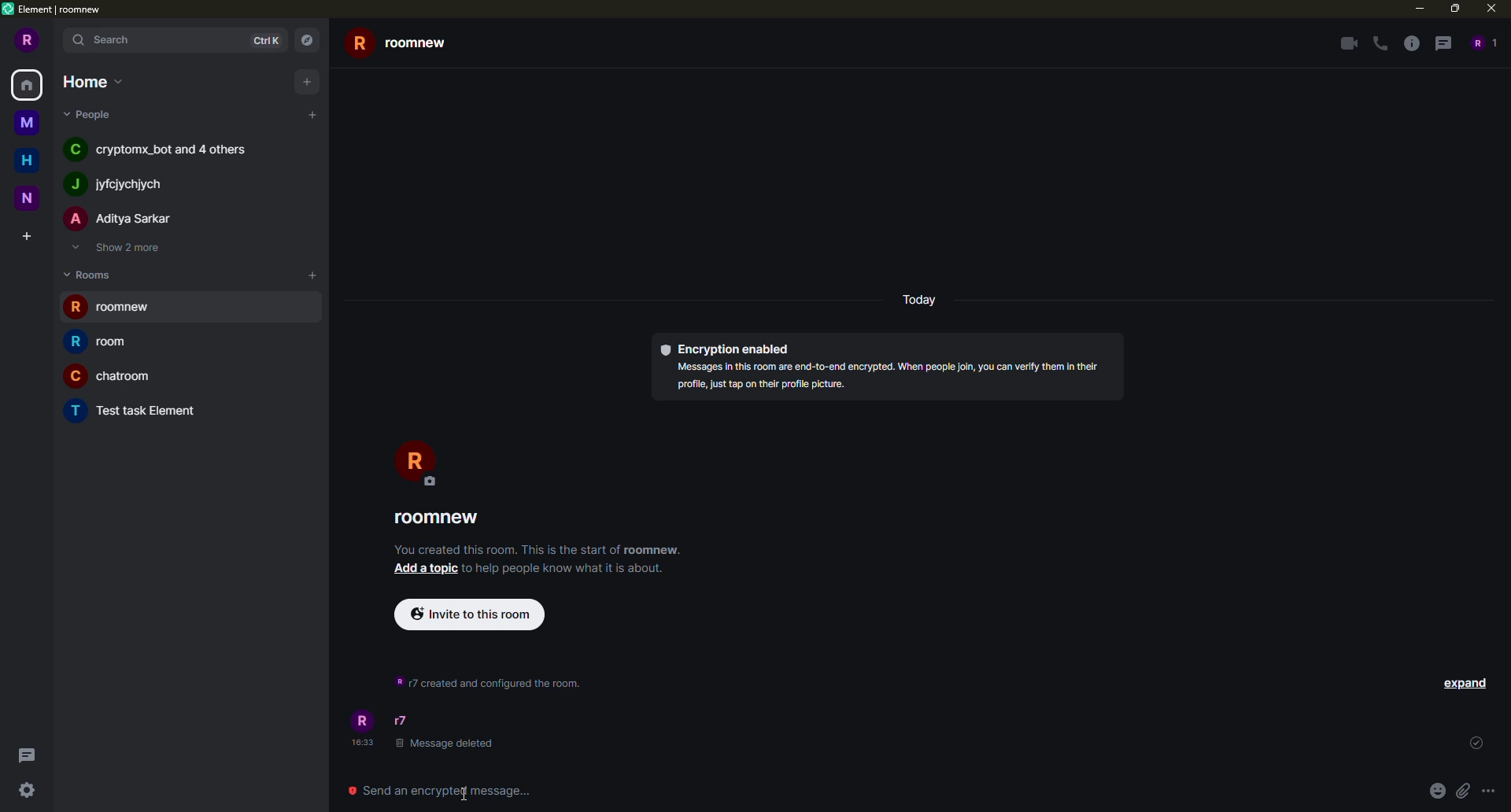  Describe the element at coordinates (25, 754) in the screenshot. I see `threads` at that location.